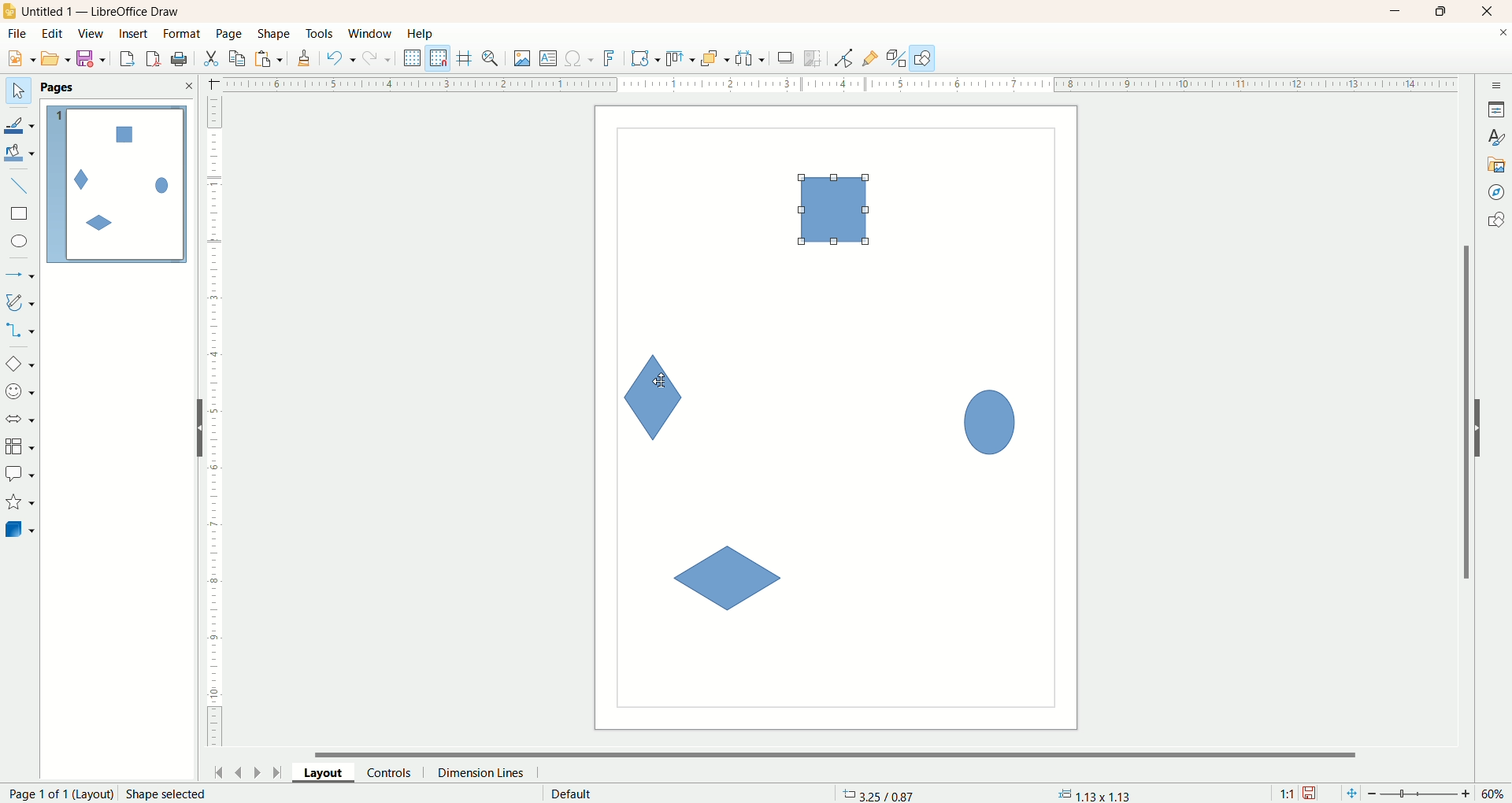 This screenshot has width=1512, height=803. Describe the element at coordinates (1503, 35) in the screenshot. I see `close` at that location.